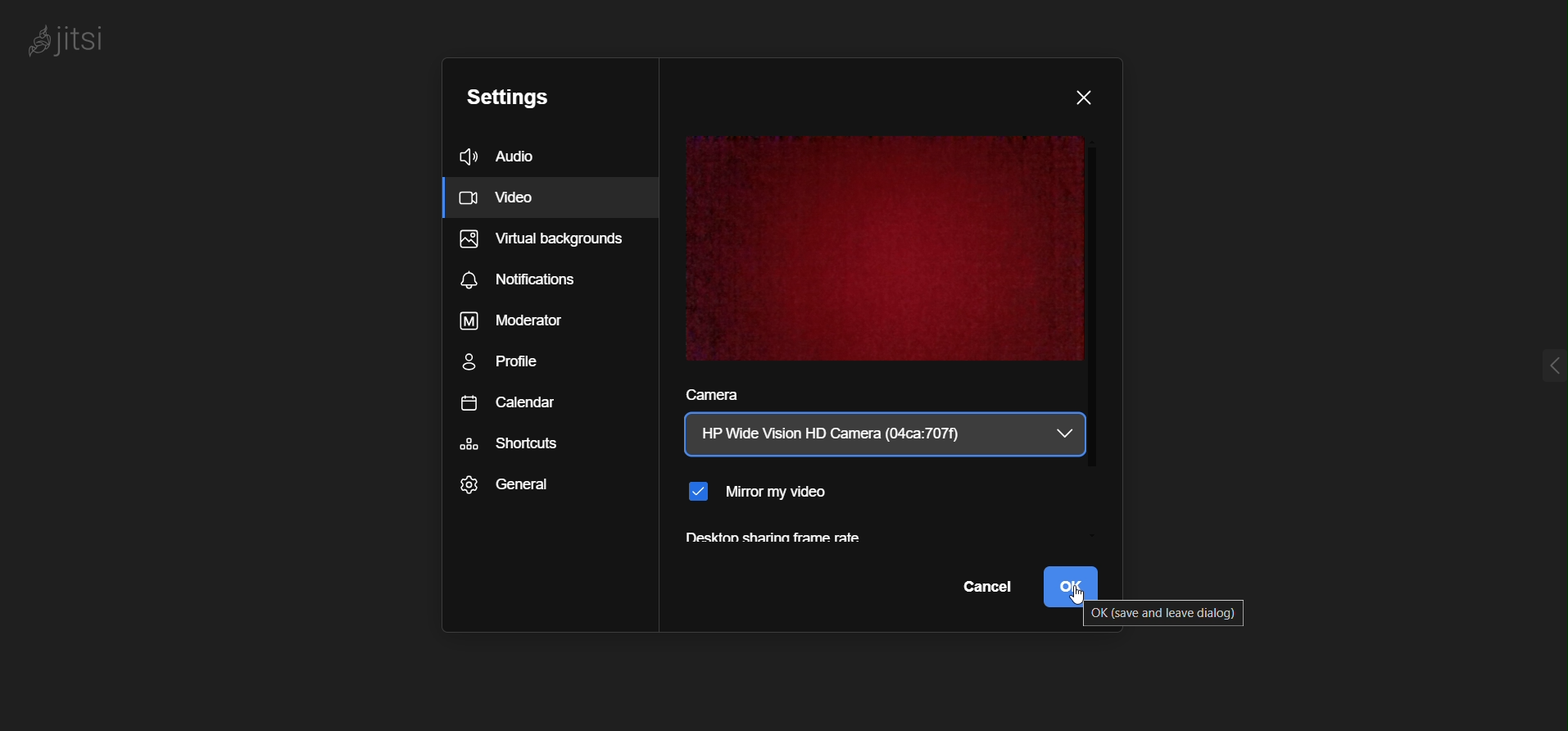 The width and height of the screenshot is (1568, 731). I want to click on current camera, so click(872, 434).